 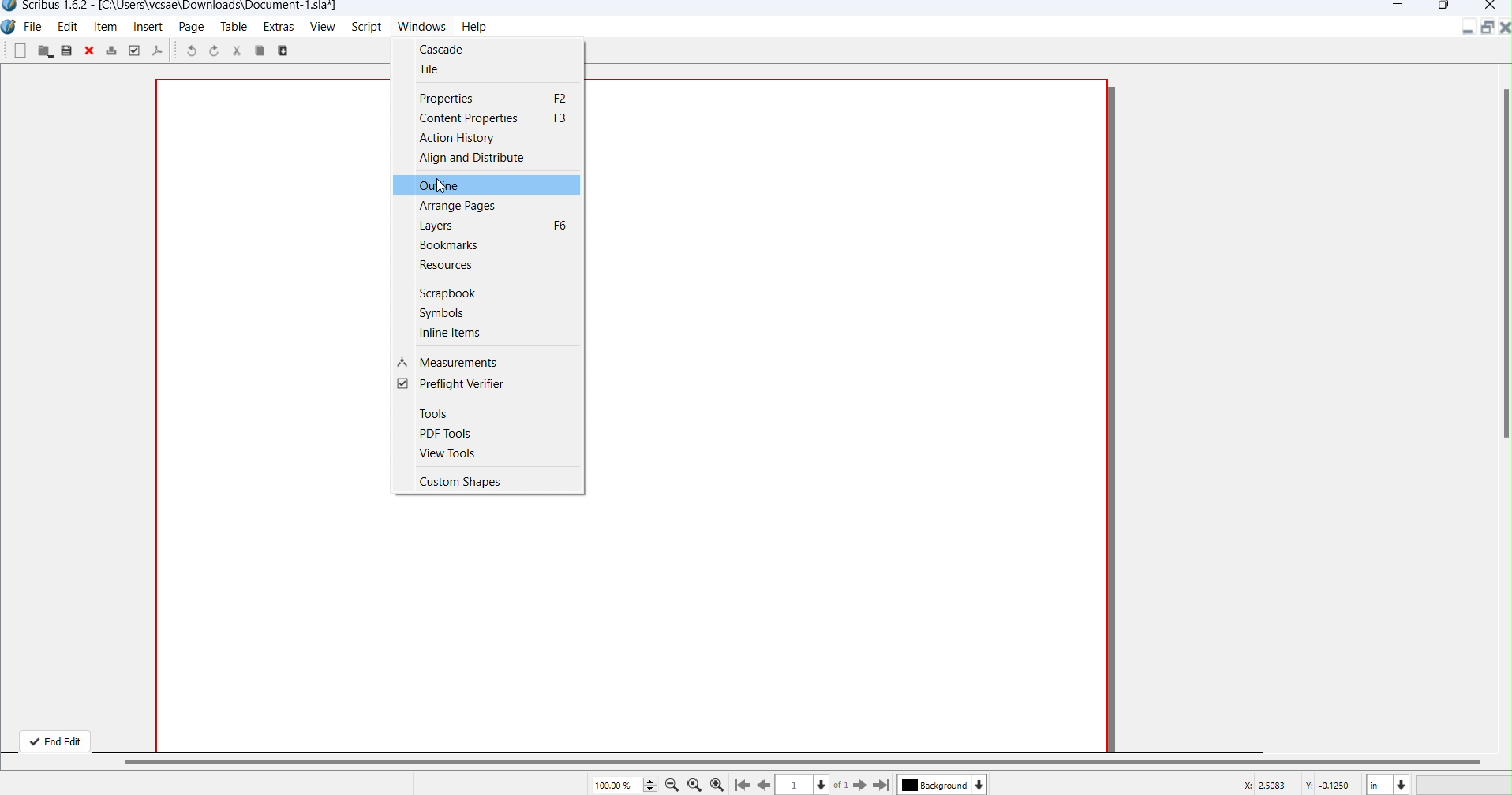 I want to click on , so click(x=44, y=51).